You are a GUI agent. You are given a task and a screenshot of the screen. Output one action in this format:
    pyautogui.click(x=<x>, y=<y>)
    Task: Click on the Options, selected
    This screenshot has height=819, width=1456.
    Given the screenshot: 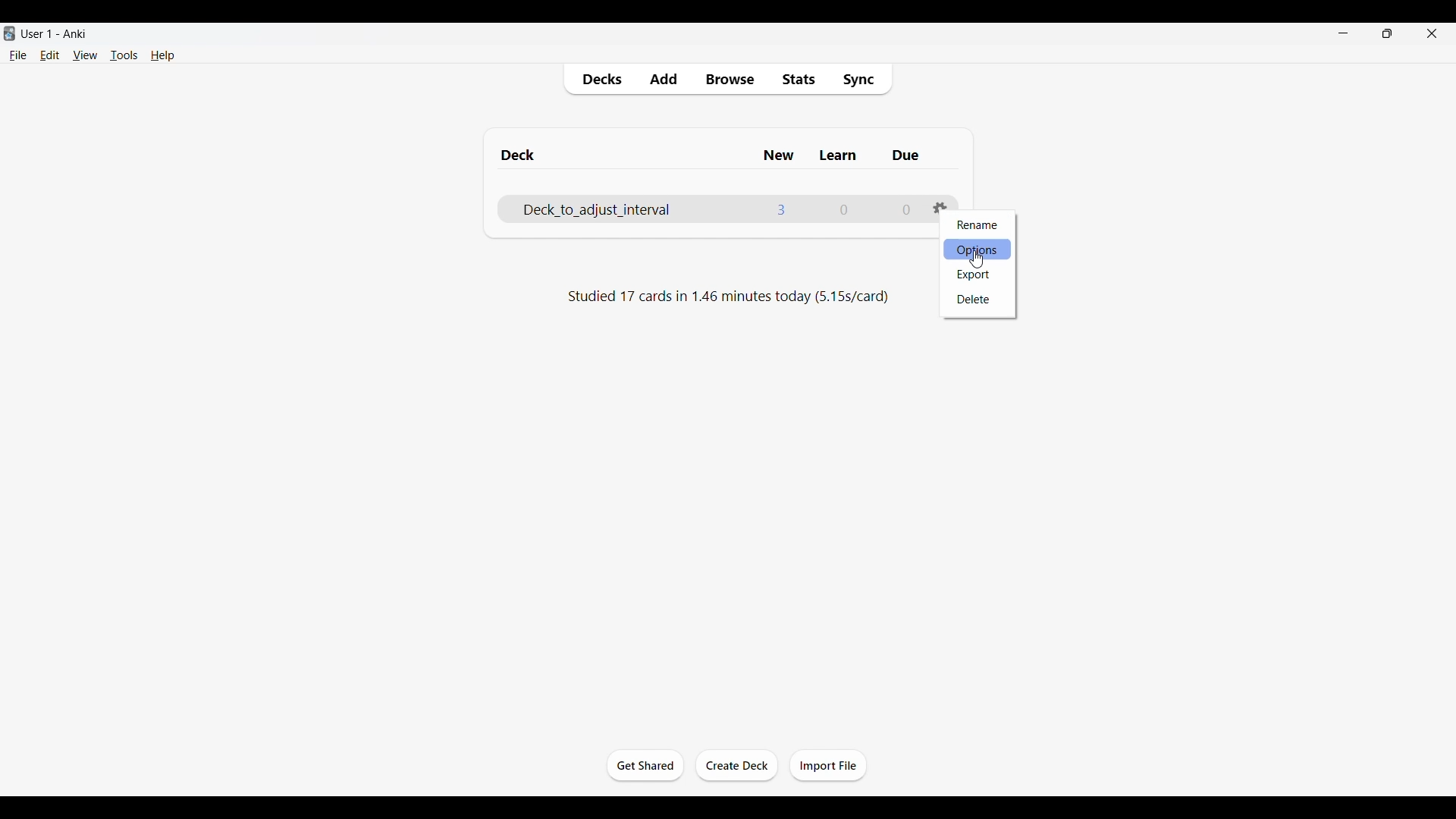 What is the action you would take?
    pyautogui.click(x=977, y=248)
    